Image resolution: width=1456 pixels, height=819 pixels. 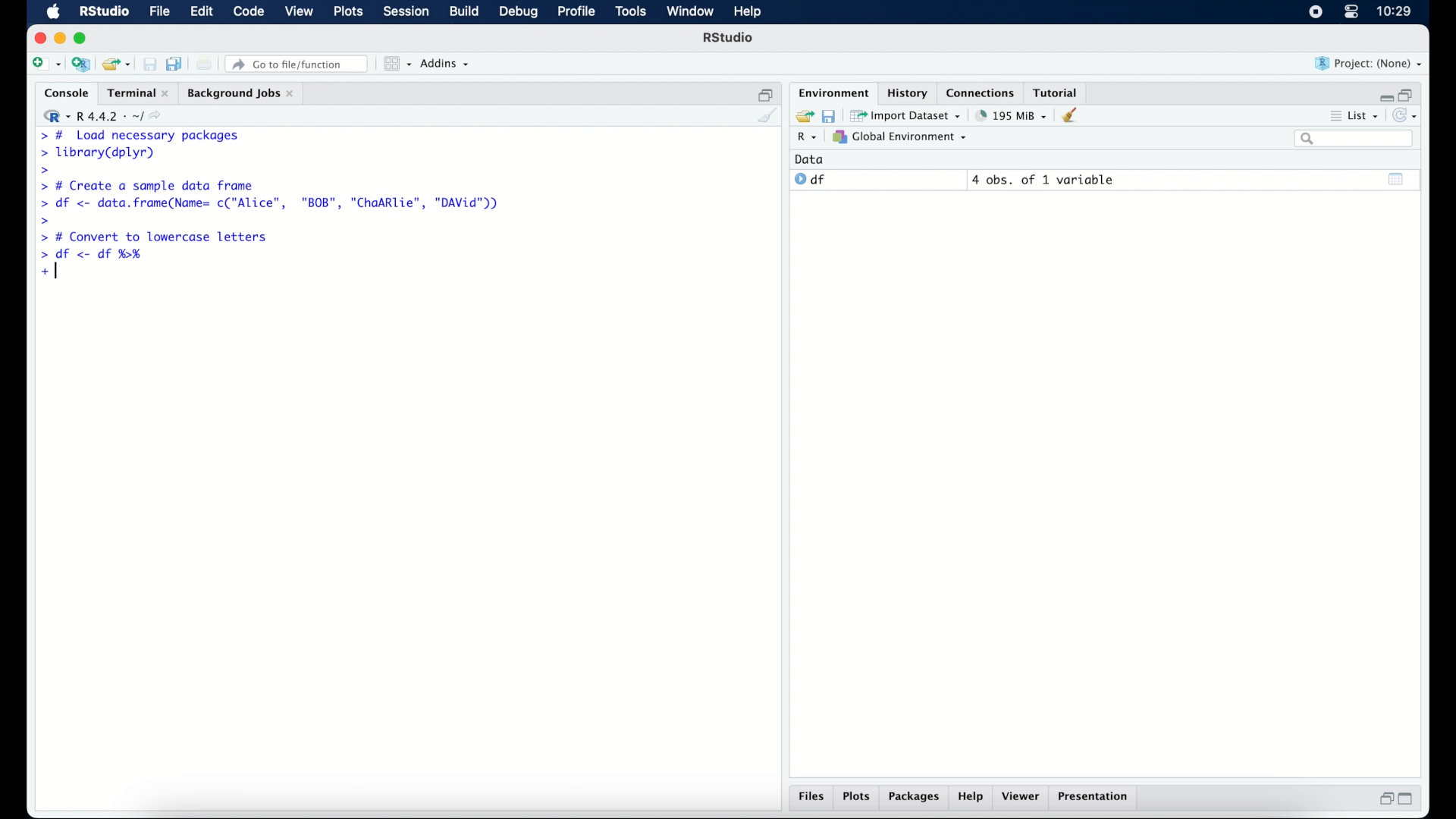 What do you see at coordinates (138, 134) in the screenshot?
I see `> # Load necessary packages|` at bounding box center [138, 134].